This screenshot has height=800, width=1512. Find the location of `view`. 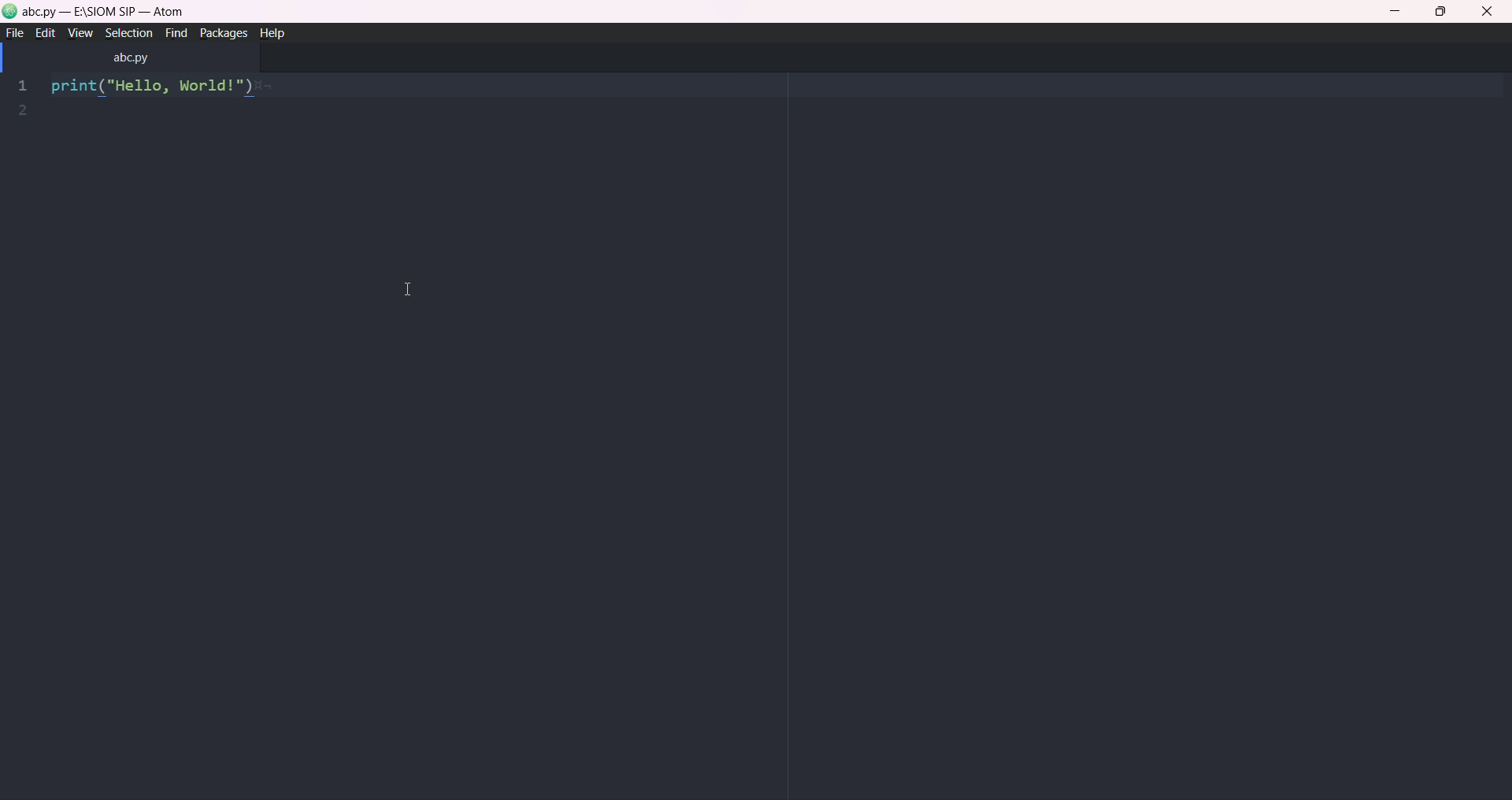

view is located at coordinates (77, 35).